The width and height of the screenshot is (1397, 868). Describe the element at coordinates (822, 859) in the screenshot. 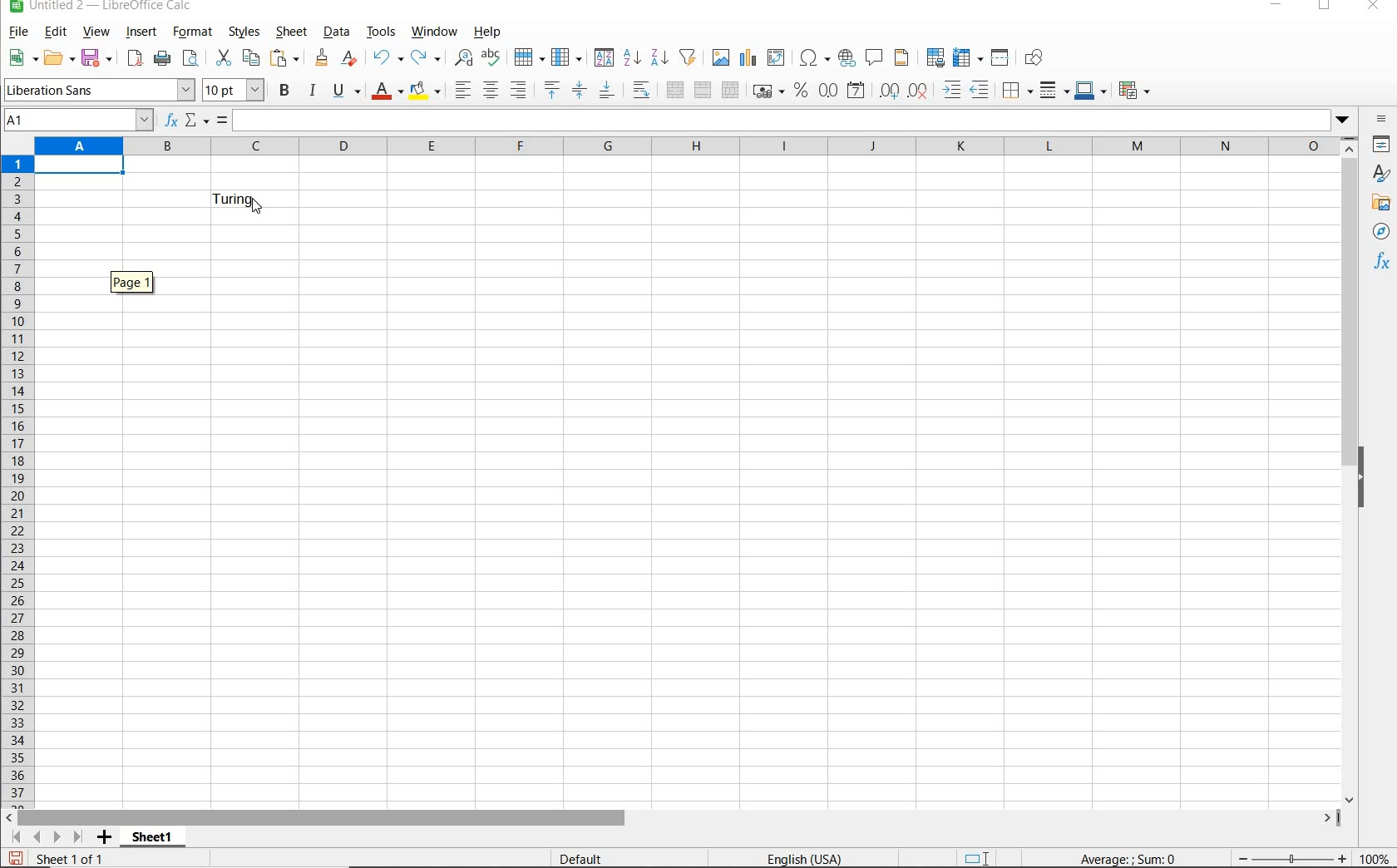

I see `TEXT LANGUAGE` at that location.